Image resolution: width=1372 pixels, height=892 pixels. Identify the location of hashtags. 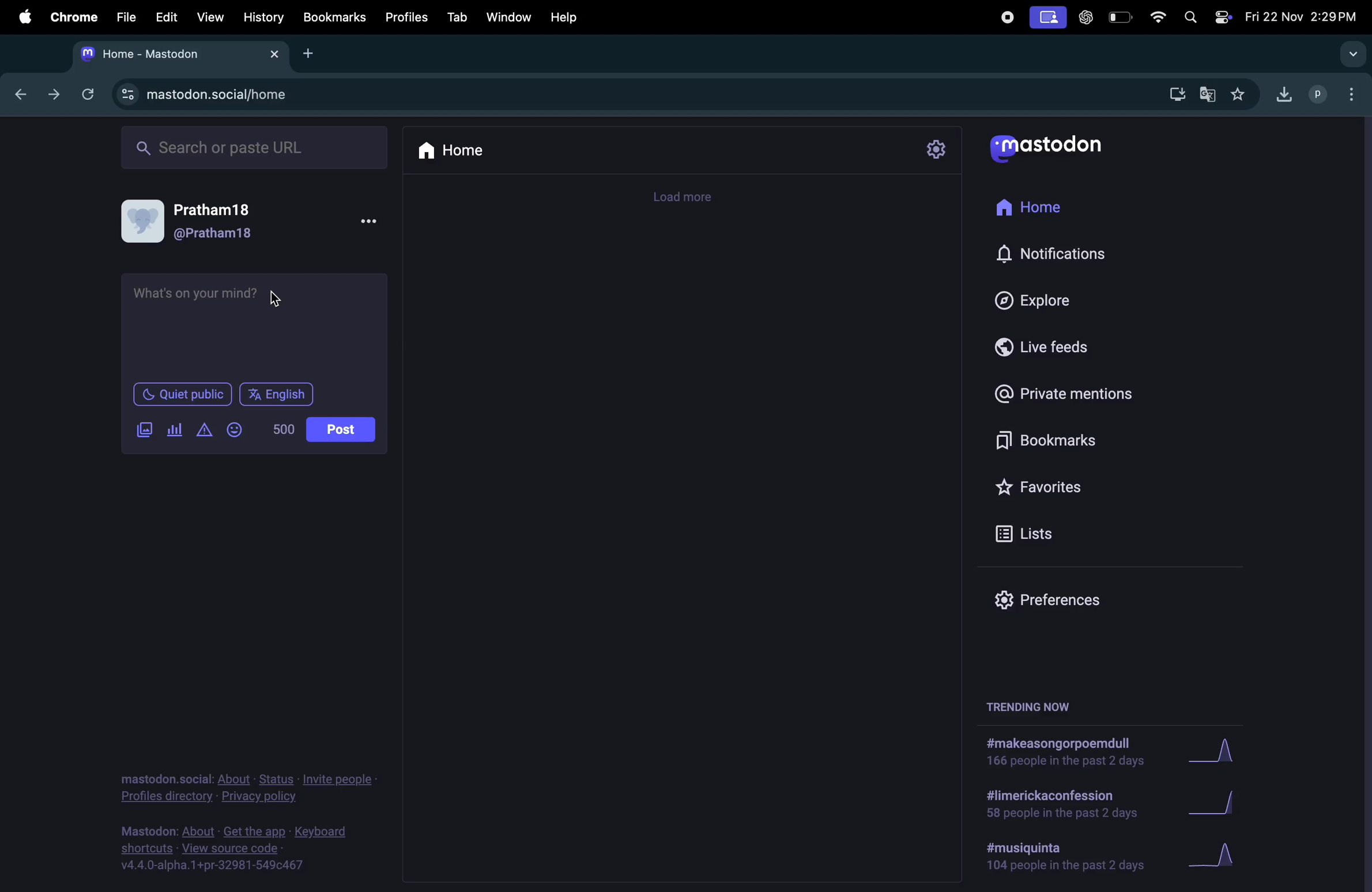
(1068, 753).